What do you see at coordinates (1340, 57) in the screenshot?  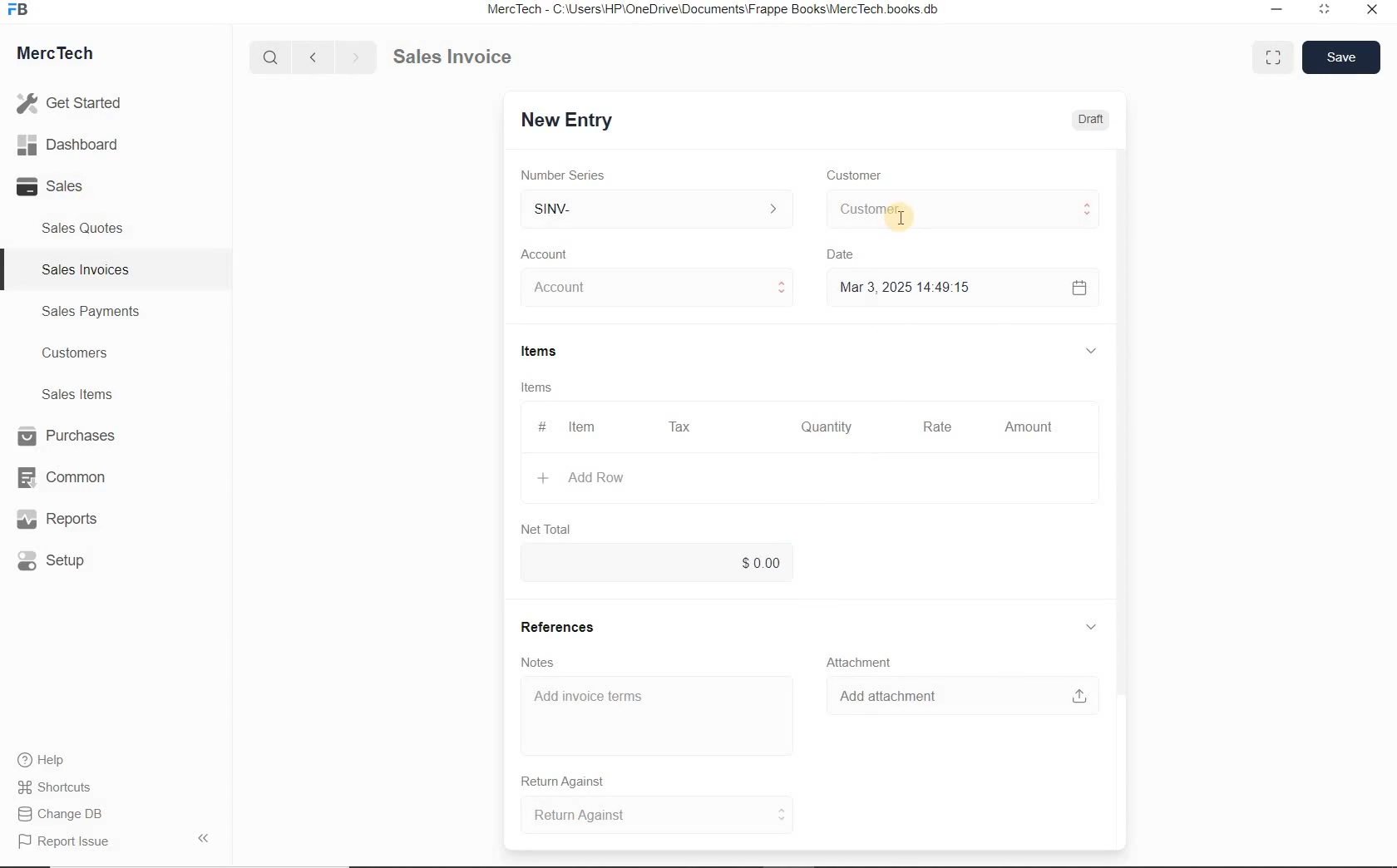 I see `Save` at bounding box center [1340, 57].